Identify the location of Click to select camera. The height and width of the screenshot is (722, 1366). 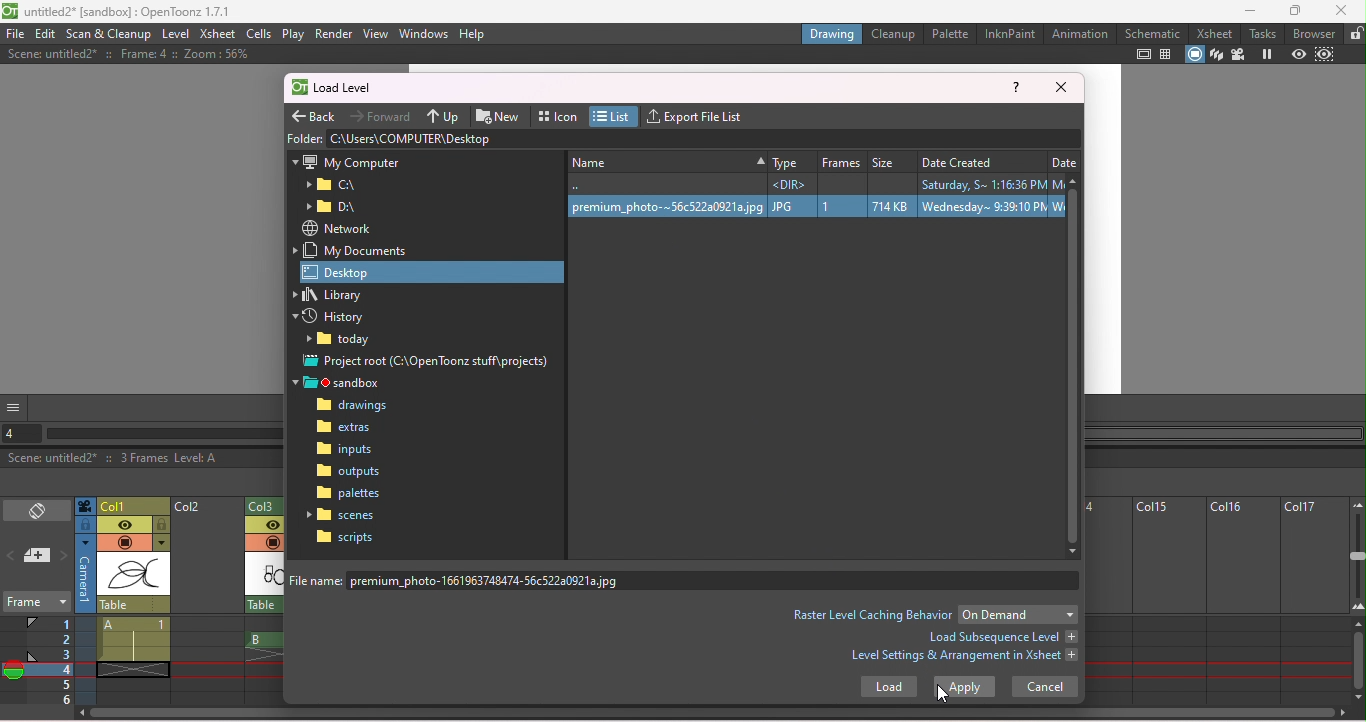
(86, 574).